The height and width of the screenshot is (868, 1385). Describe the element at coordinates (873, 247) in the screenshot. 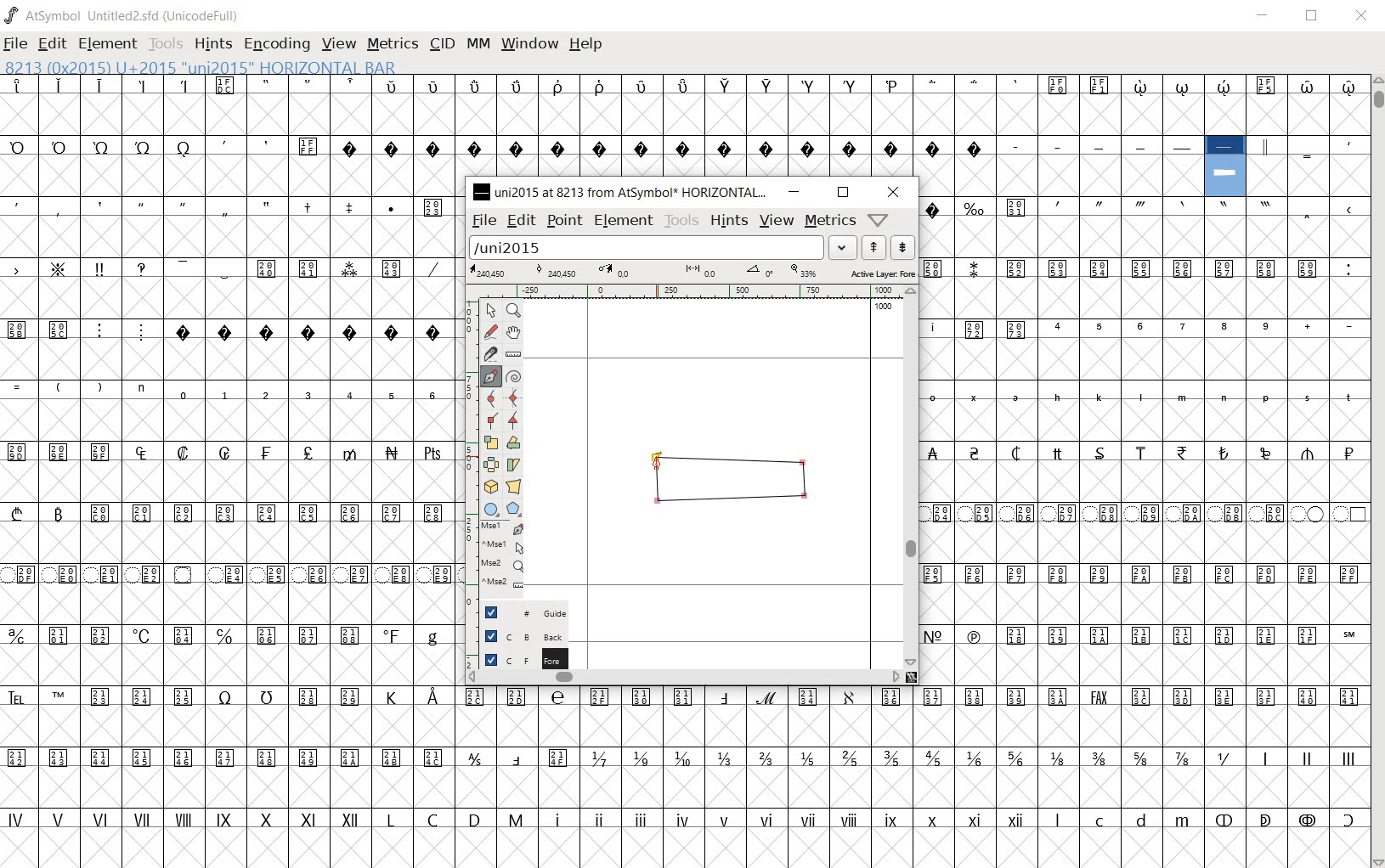

I see `show the next word on the list` at that location.